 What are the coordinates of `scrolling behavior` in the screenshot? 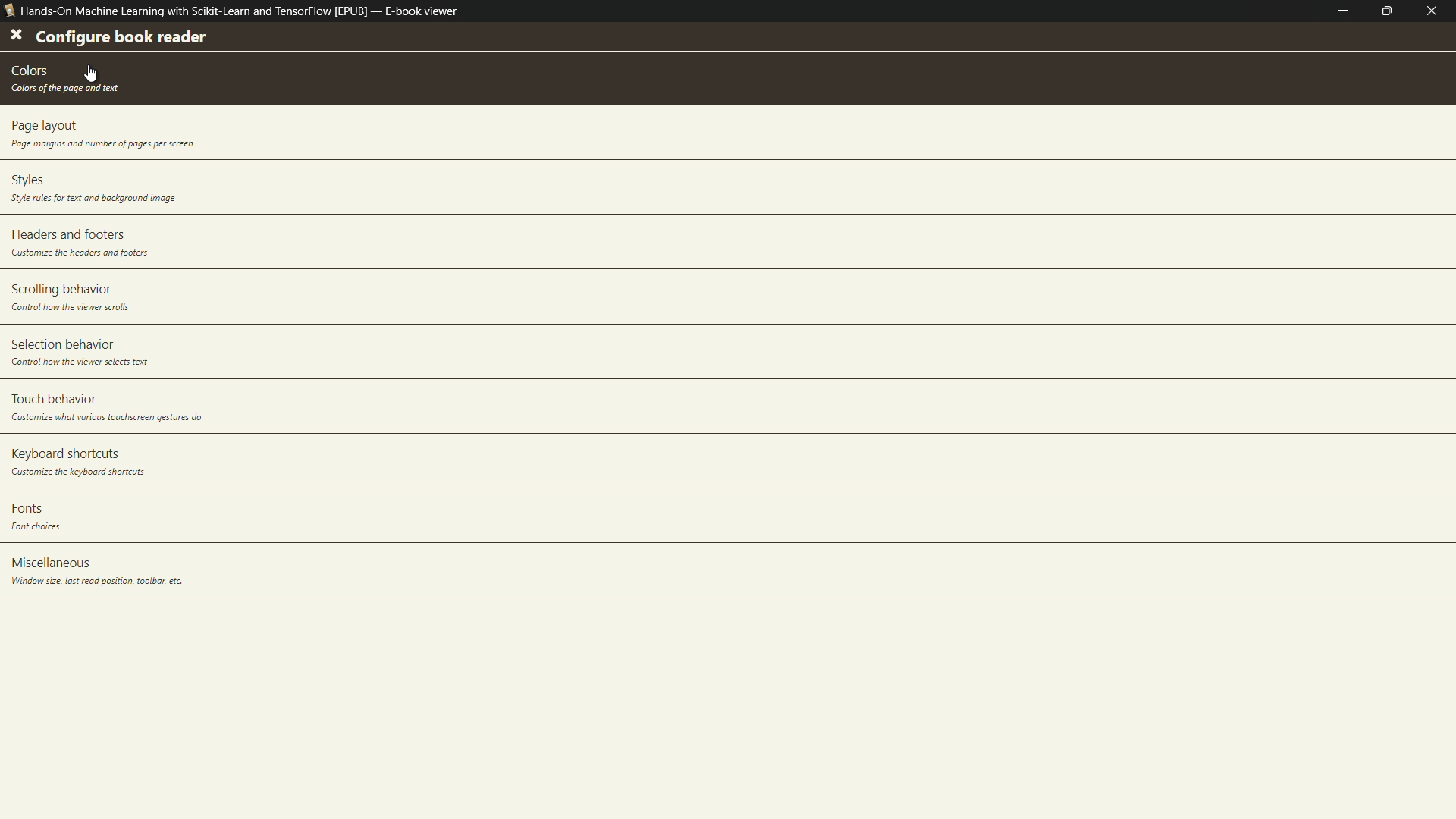 It's located at (58, 290).